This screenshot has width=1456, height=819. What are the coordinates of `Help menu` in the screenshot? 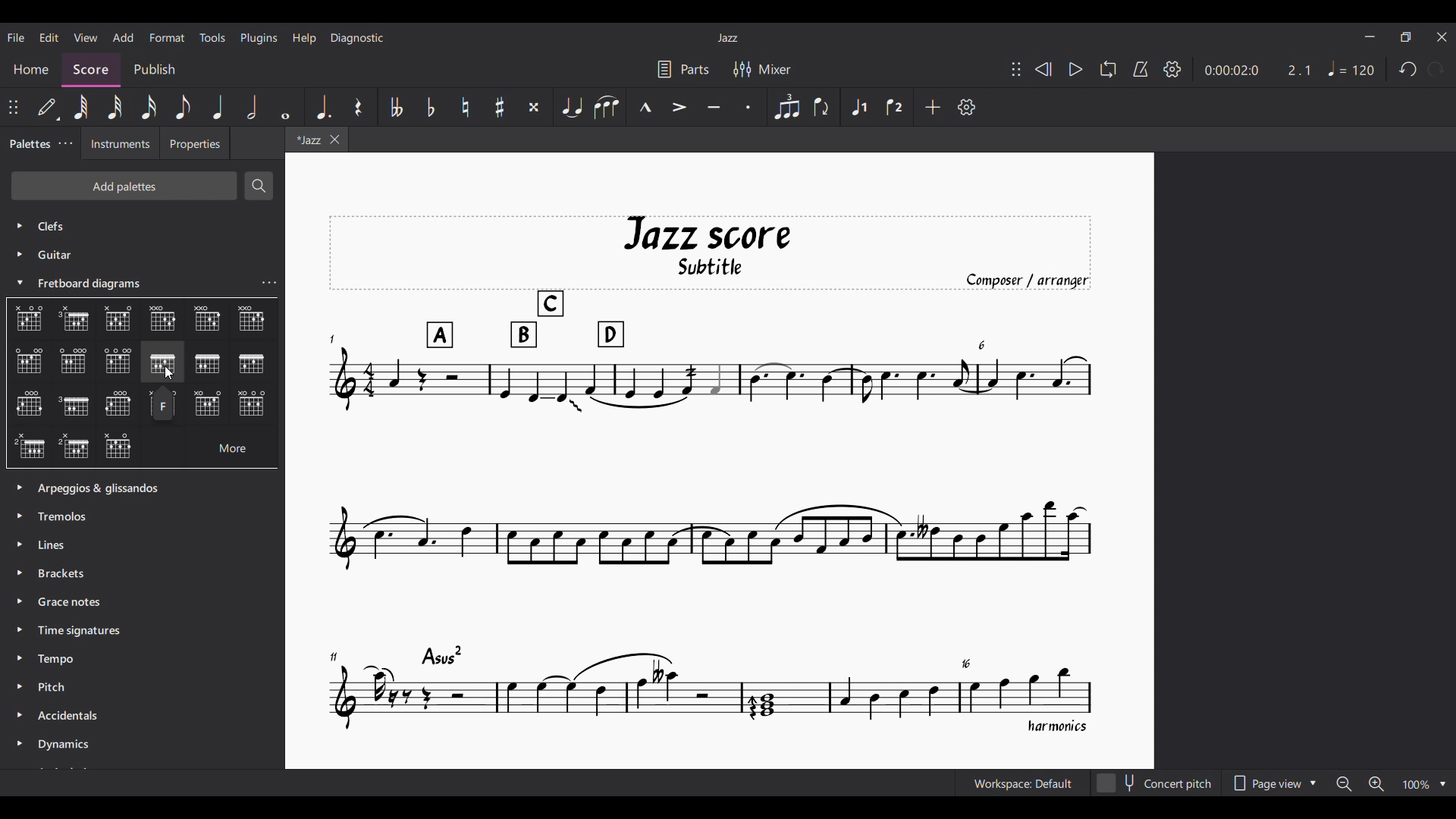 It's located at (305, 39).